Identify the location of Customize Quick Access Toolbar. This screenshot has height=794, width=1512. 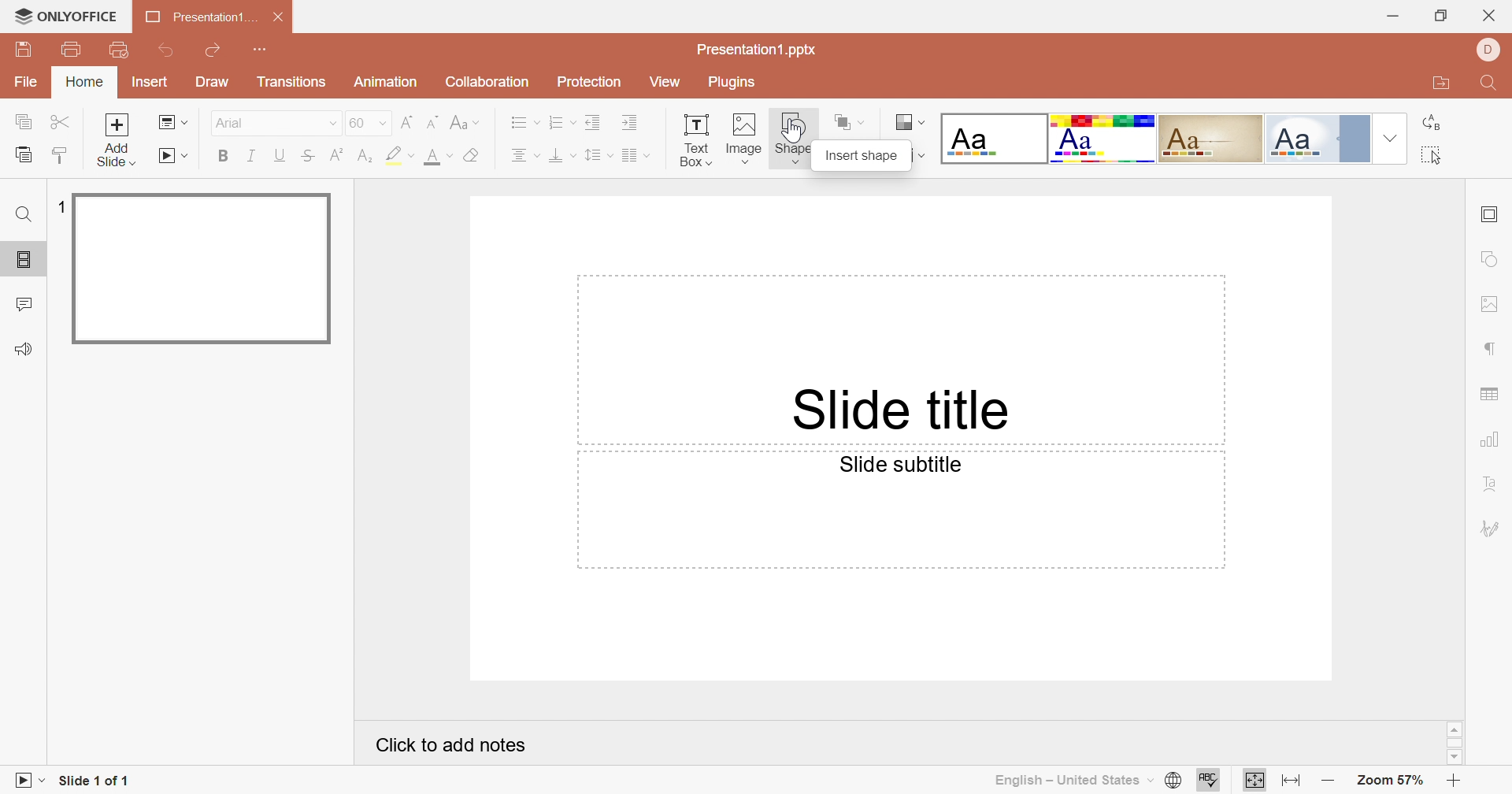
(261, 47).